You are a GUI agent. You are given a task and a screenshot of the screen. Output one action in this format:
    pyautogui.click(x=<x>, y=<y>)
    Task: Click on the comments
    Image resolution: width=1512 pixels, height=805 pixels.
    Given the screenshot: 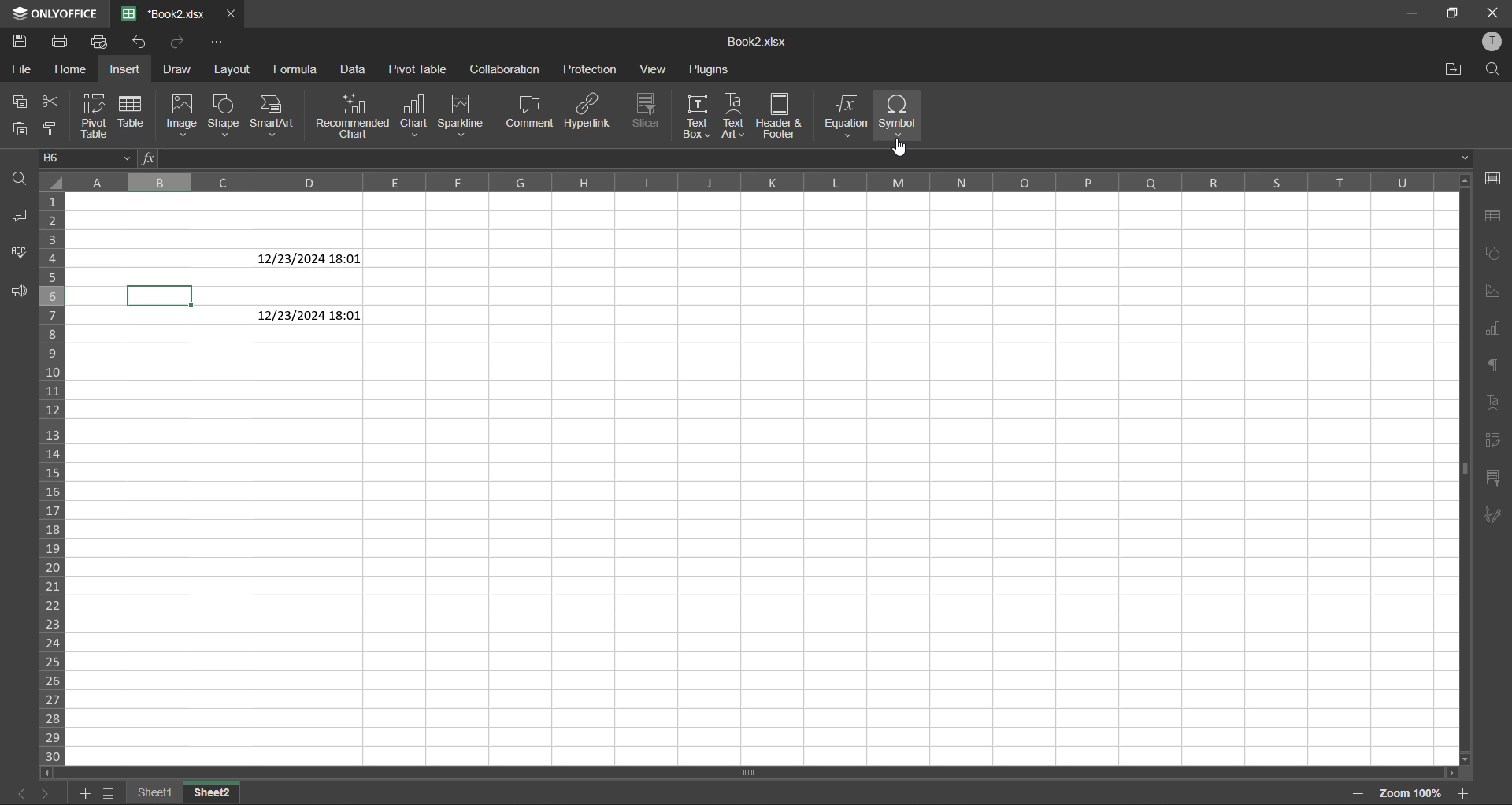 What is the action you would take?
    pyautogui.click(x=25, y=217)
    